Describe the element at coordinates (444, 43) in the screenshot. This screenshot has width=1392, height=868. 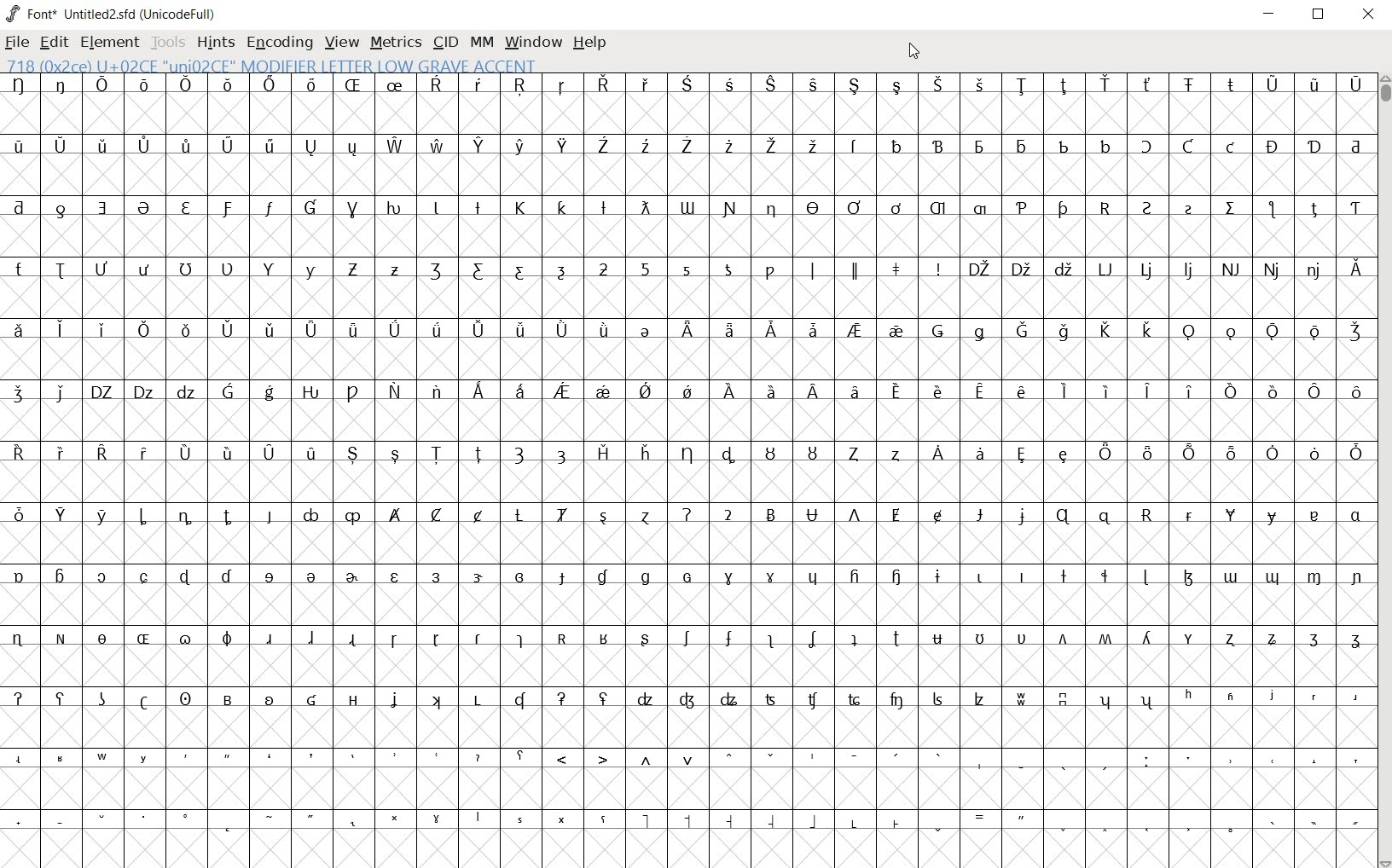
I see `cid` at that location.